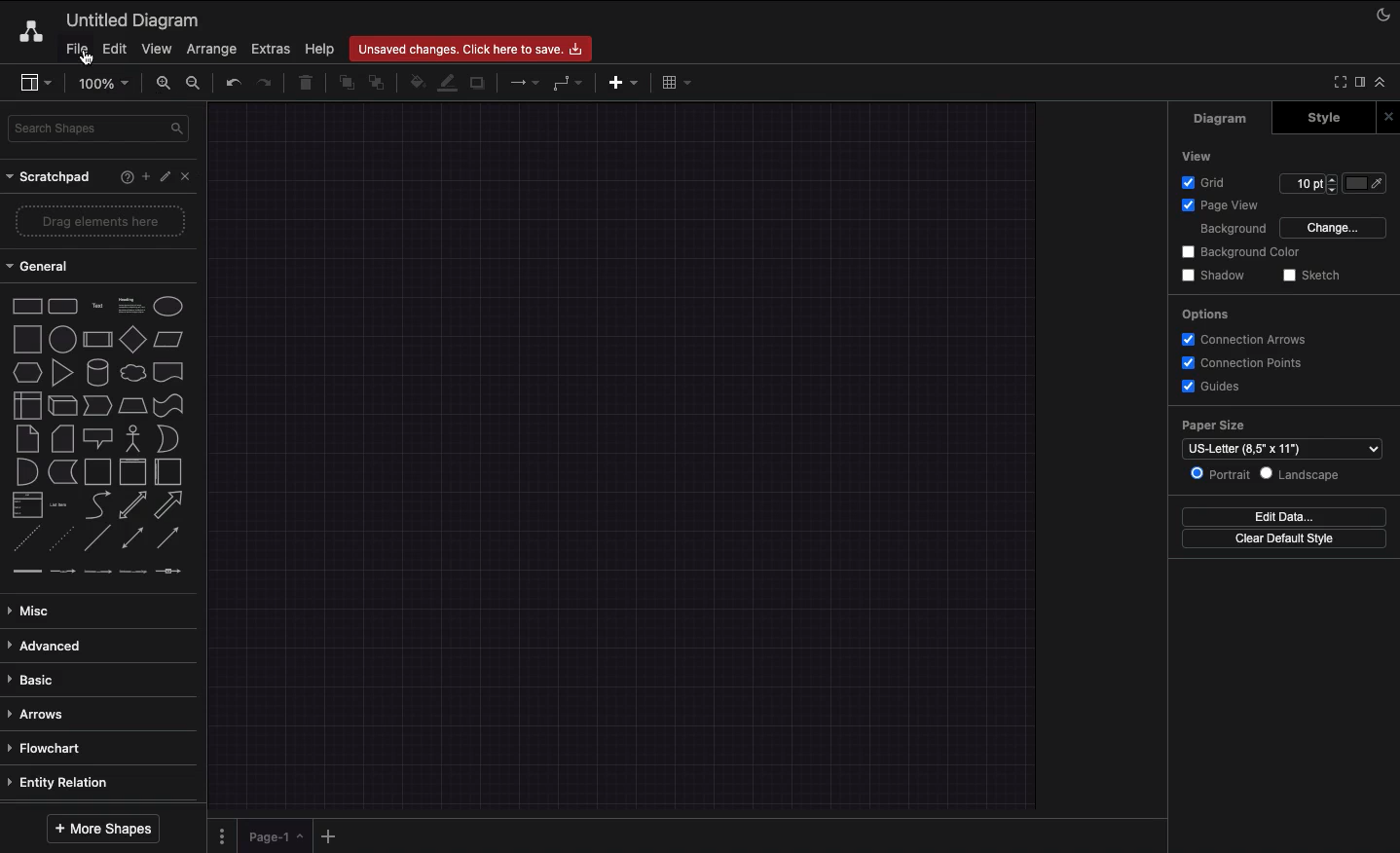 This screenshot has height=853, width=1400. I want to click on Actor, so click(133, 436).